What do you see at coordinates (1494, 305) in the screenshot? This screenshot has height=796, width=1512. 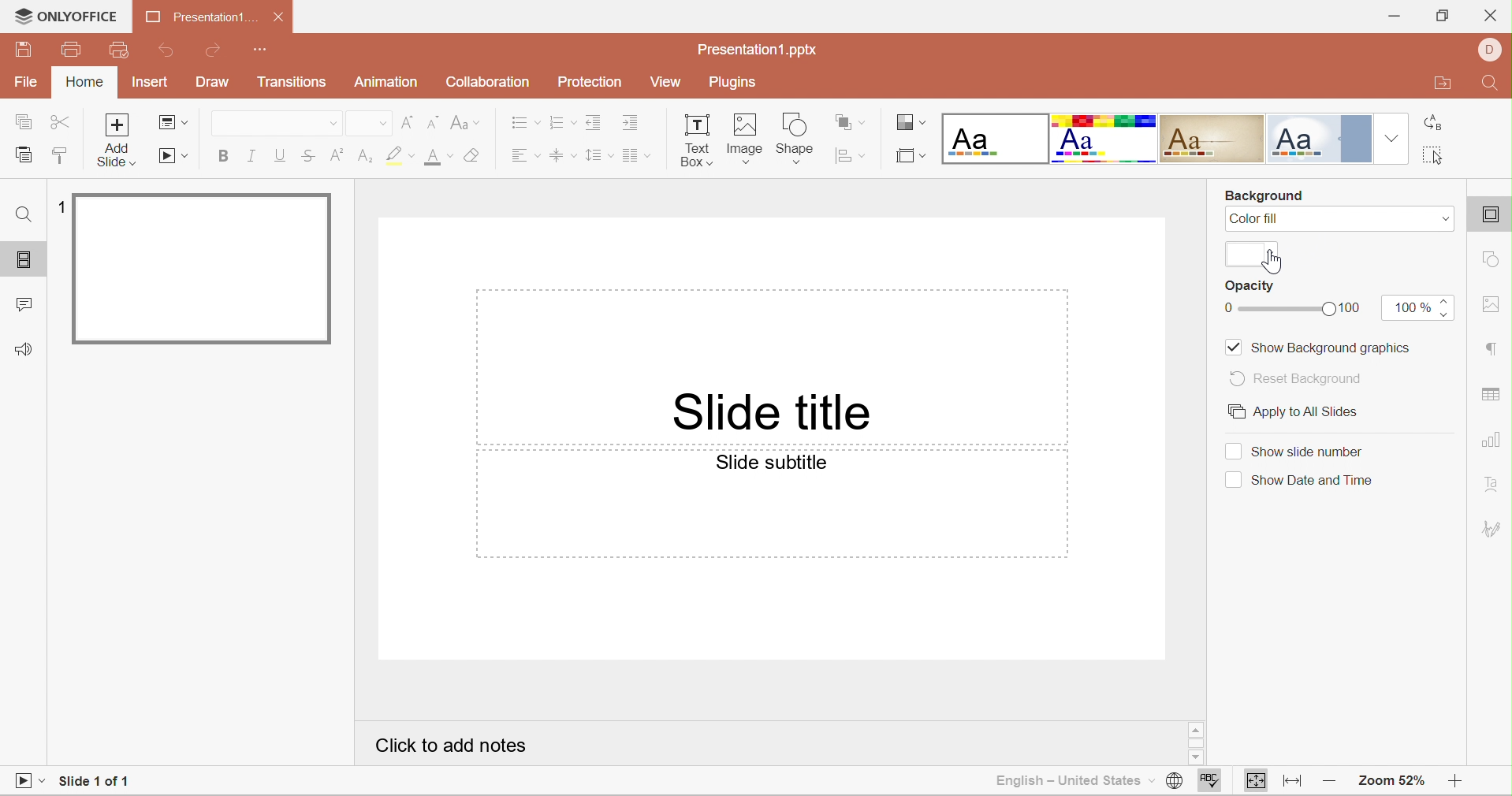 I see `image settings` at bounding box center [1494, 305].